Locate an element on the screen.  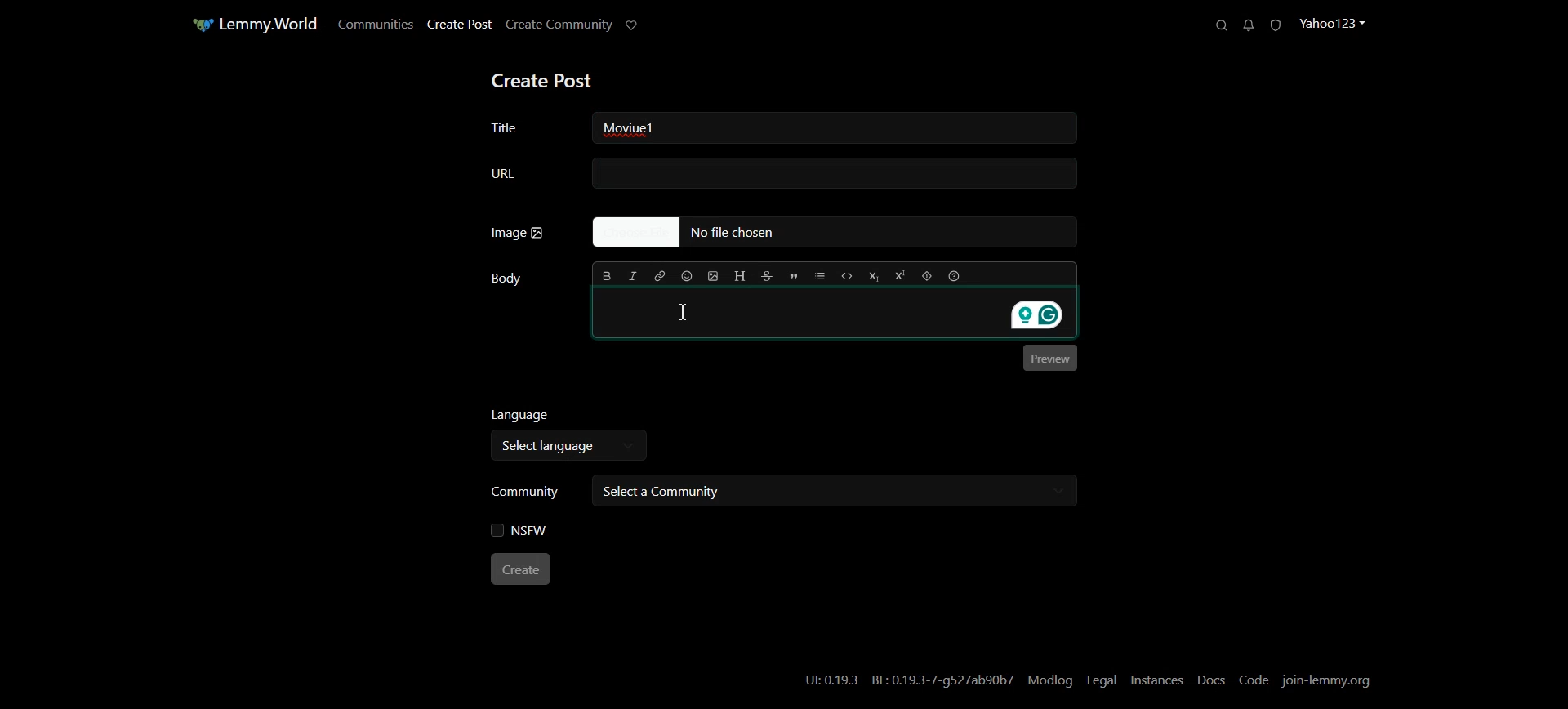
Create Community is located at coordinates (560, 25).